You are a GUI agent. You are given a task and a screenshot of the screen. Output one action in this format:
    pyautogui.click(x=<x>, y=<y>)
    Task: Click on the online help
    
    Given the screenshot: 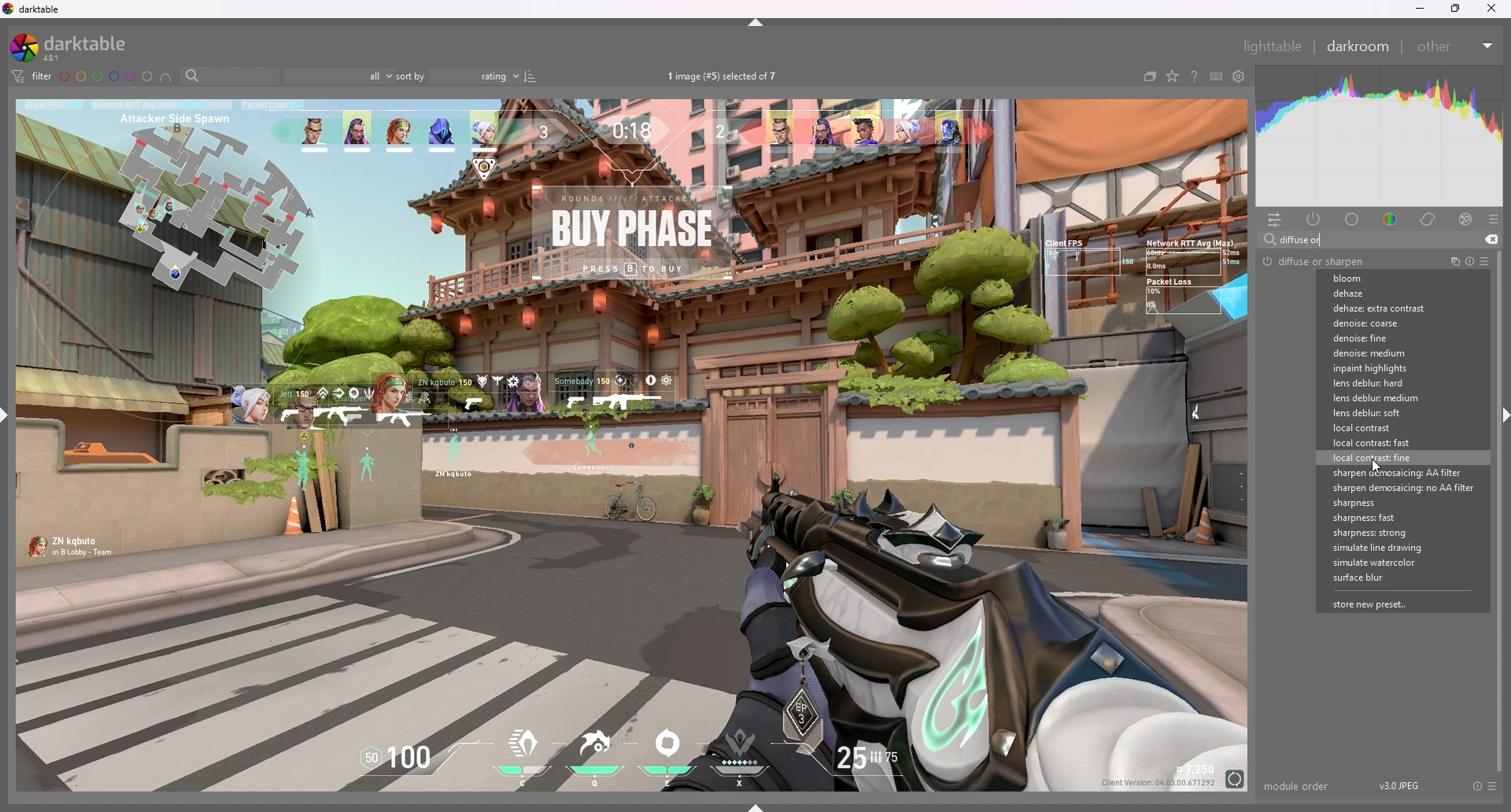 What is the action you would take?
    pyautogui.click(x=1195, y=76)
    